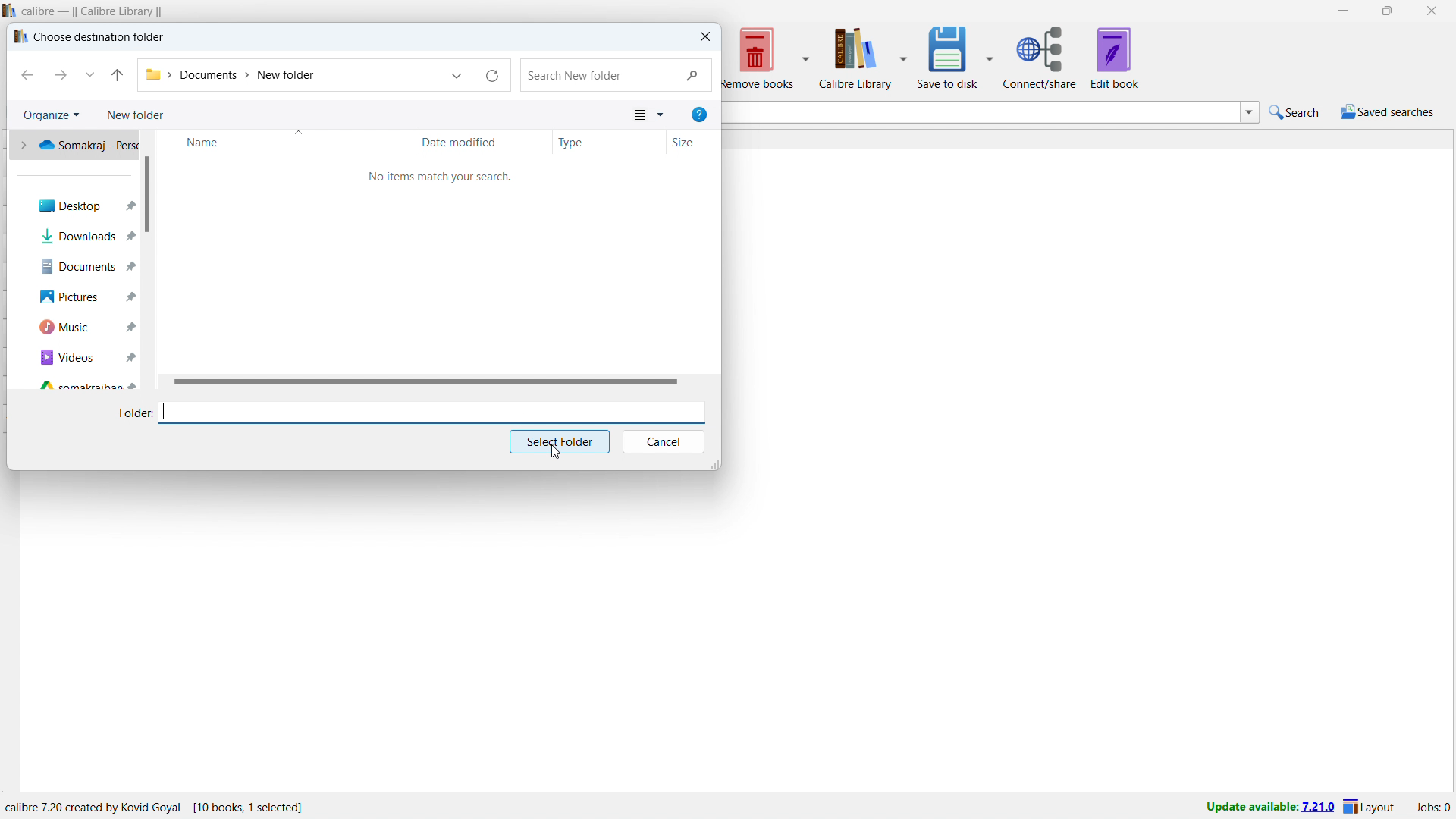  What do you see at coordinates (805, 56) in the screenshot?
I see `remove books options` at bounding box center [805, 56].